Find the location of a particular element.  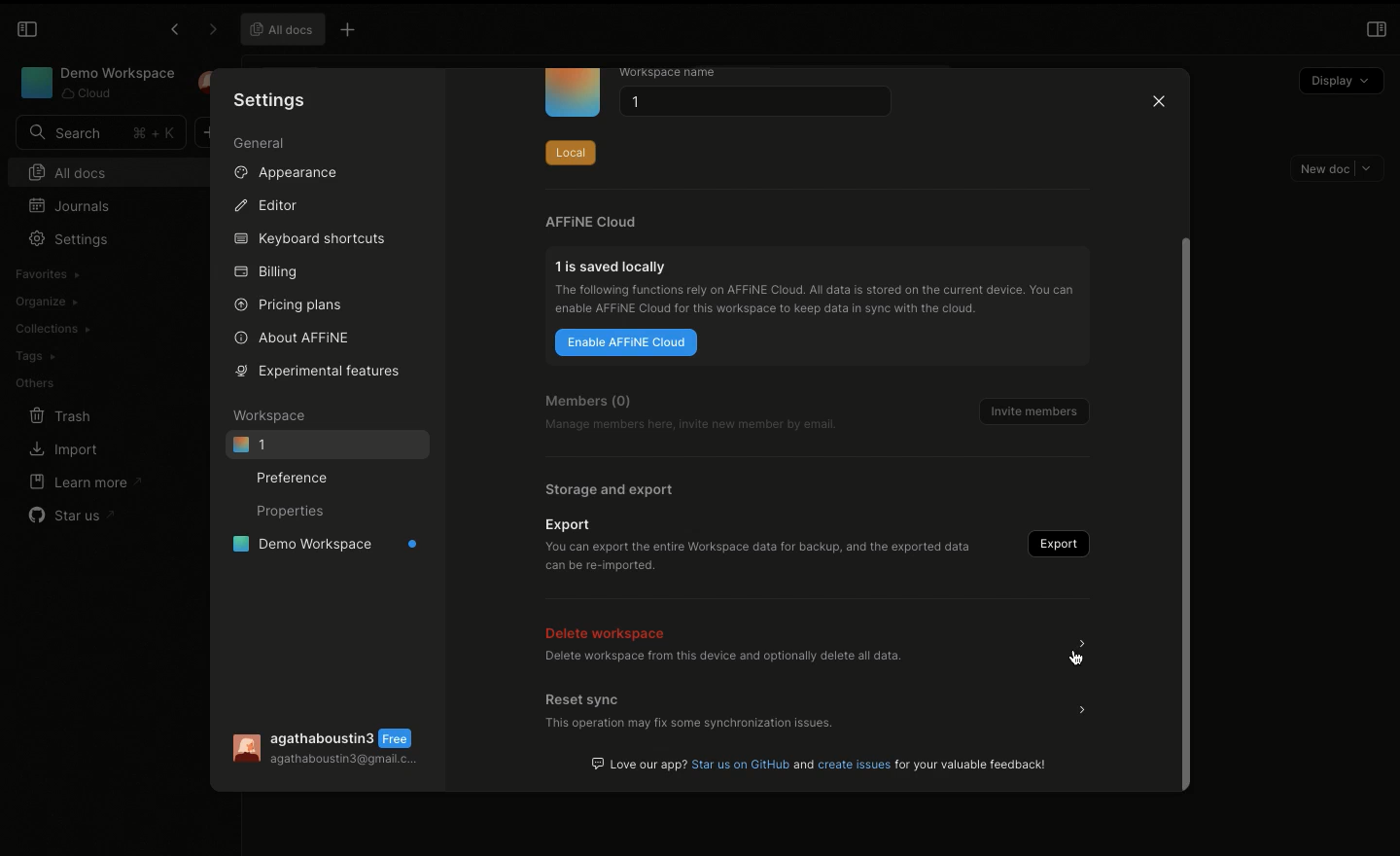

agathaboustin3@gmail.c... is located at coordinates (345, 763).